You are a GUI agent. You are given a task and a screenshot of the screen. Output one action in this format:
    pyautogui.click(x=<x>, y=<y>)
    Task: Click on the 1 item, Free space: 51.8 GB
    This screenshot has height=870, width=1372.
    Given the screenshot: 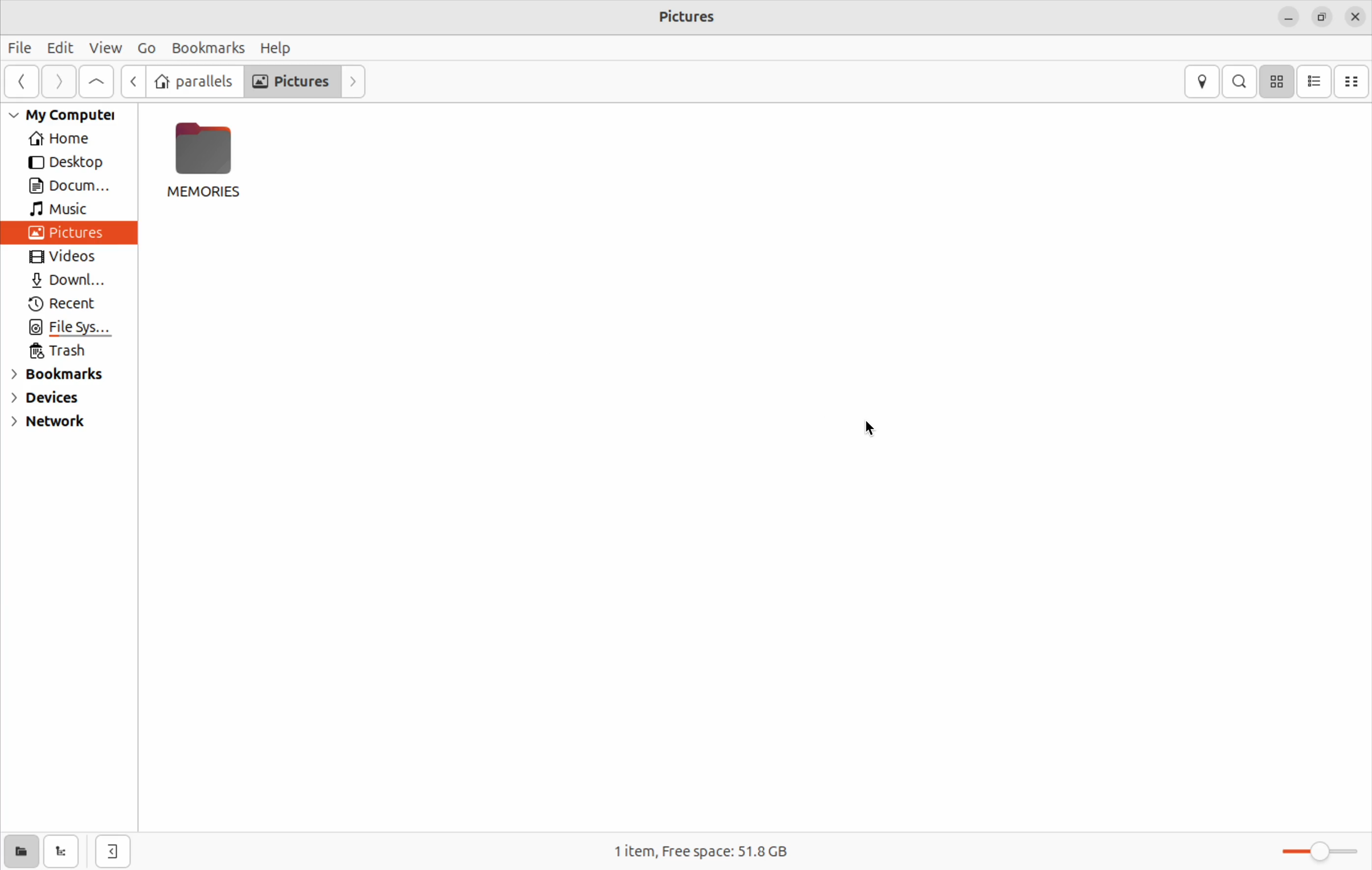 What is the action you would take?
    pyautogui.click(x=700, y=848)
    